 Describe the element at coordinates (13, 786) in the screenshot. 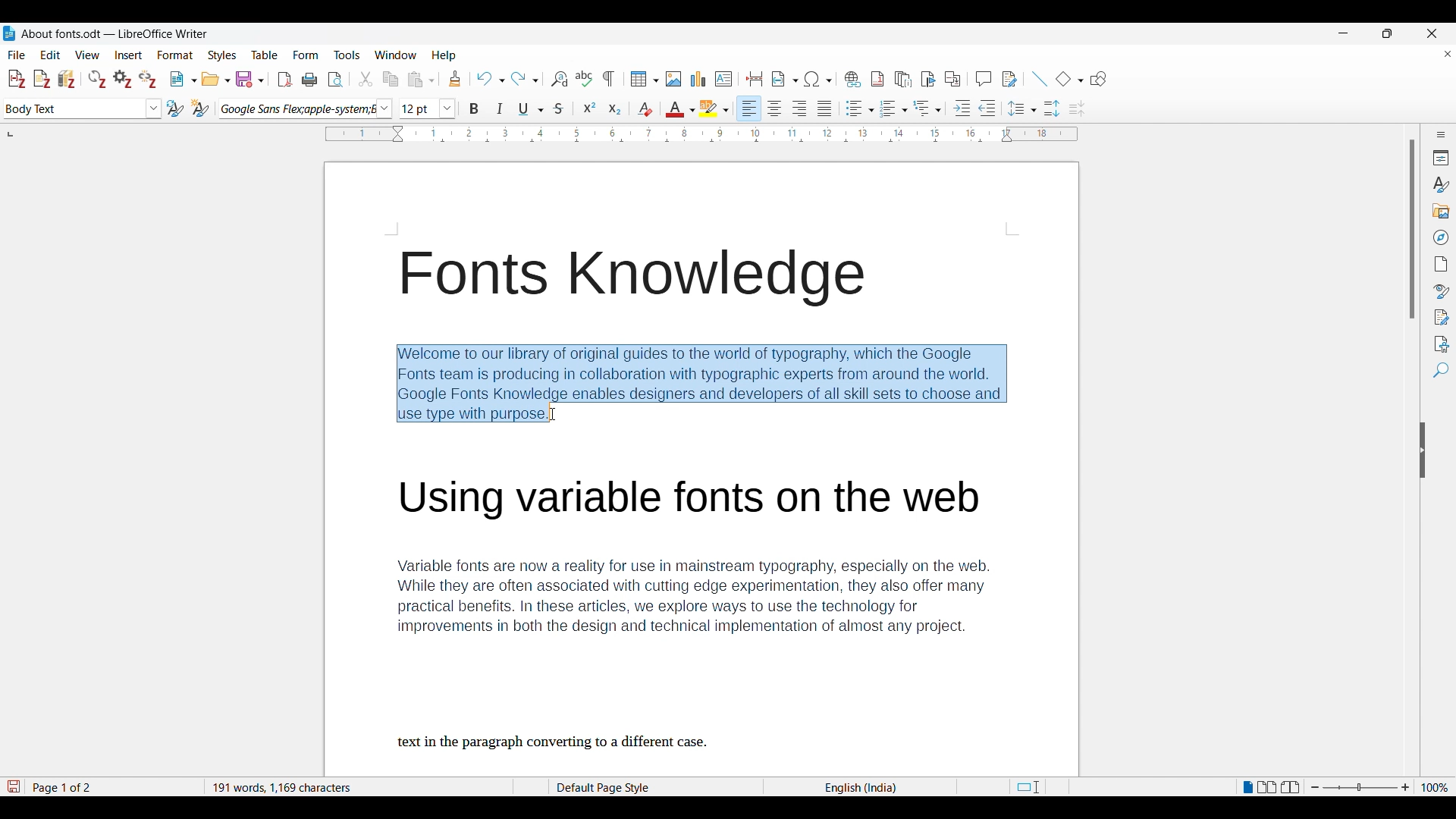

I see `Click to save new changes` at that location.